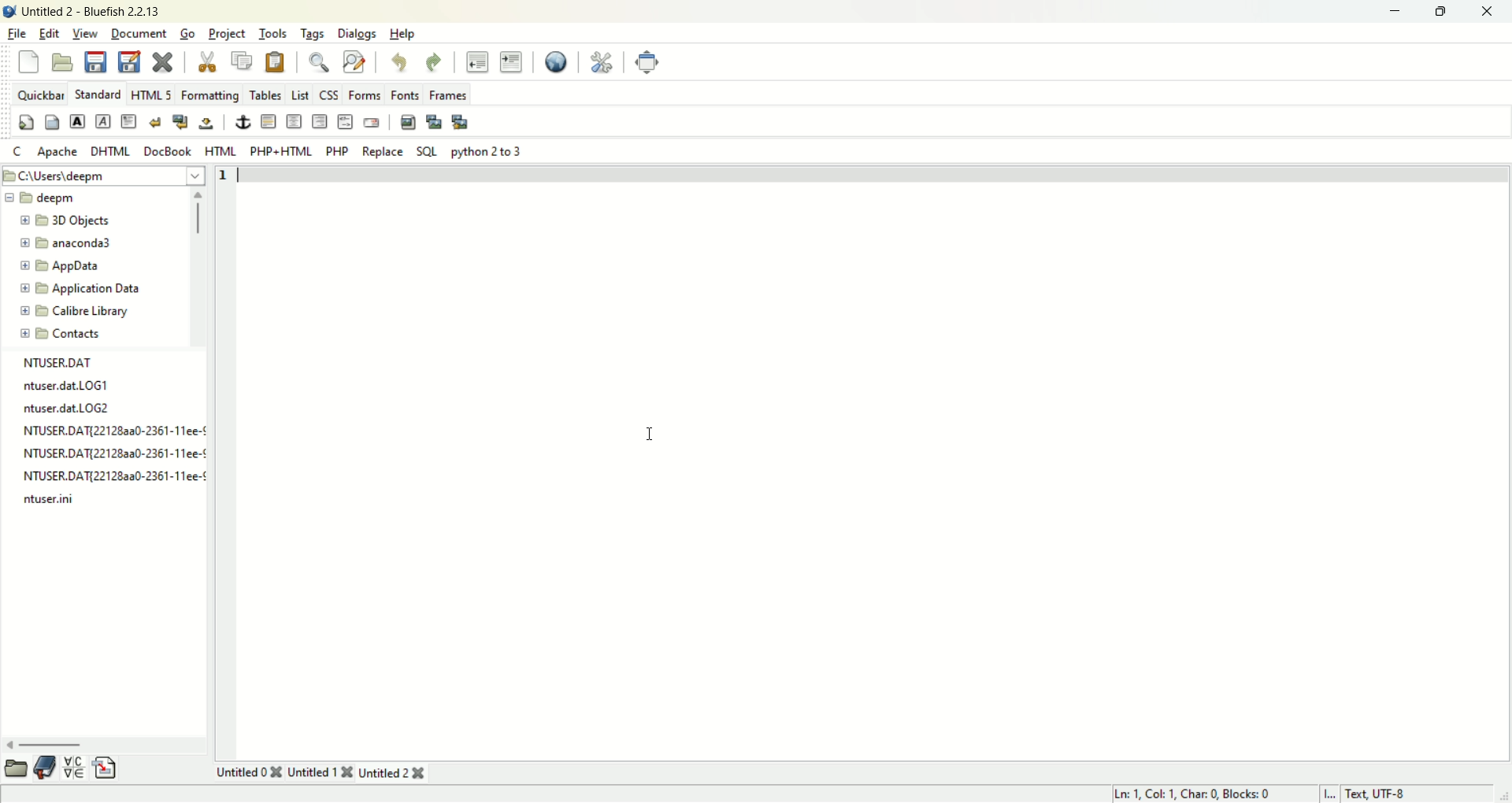  I want to click on paste, so click(276, 61).